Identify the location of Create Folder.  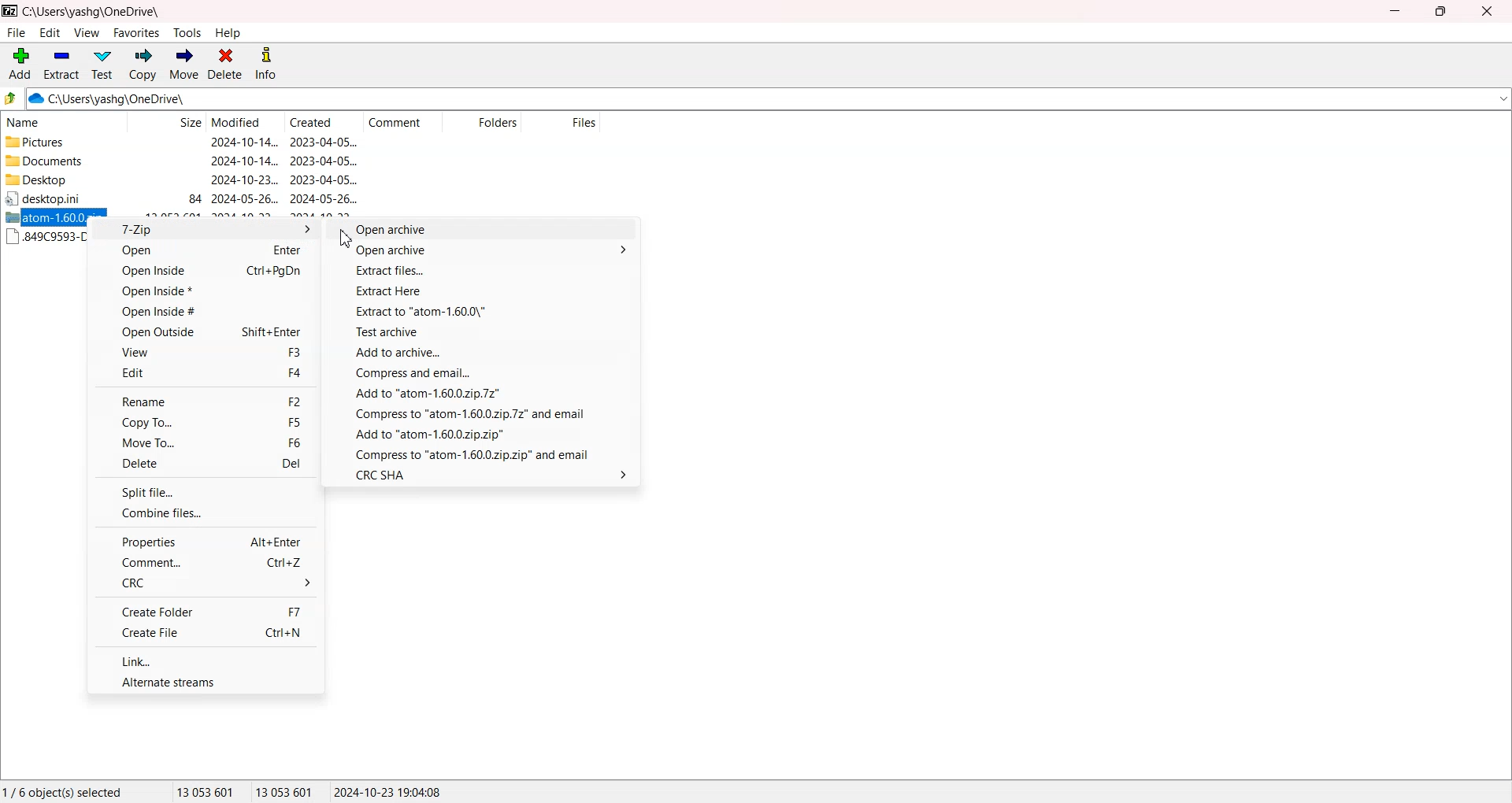
(205, 611).